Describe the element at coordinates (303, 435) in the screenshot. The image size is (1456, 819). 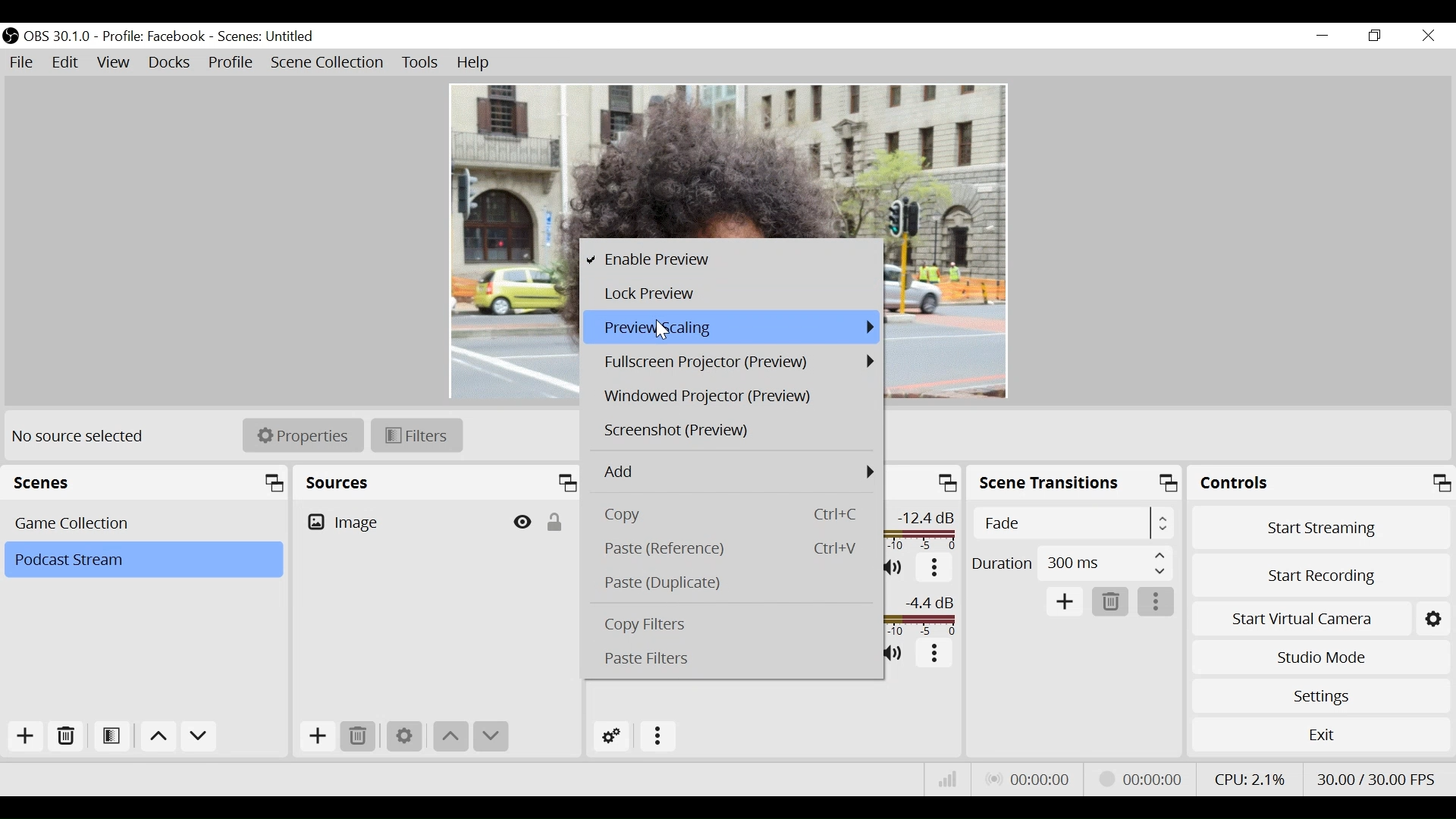
I see `Properties` at that location.